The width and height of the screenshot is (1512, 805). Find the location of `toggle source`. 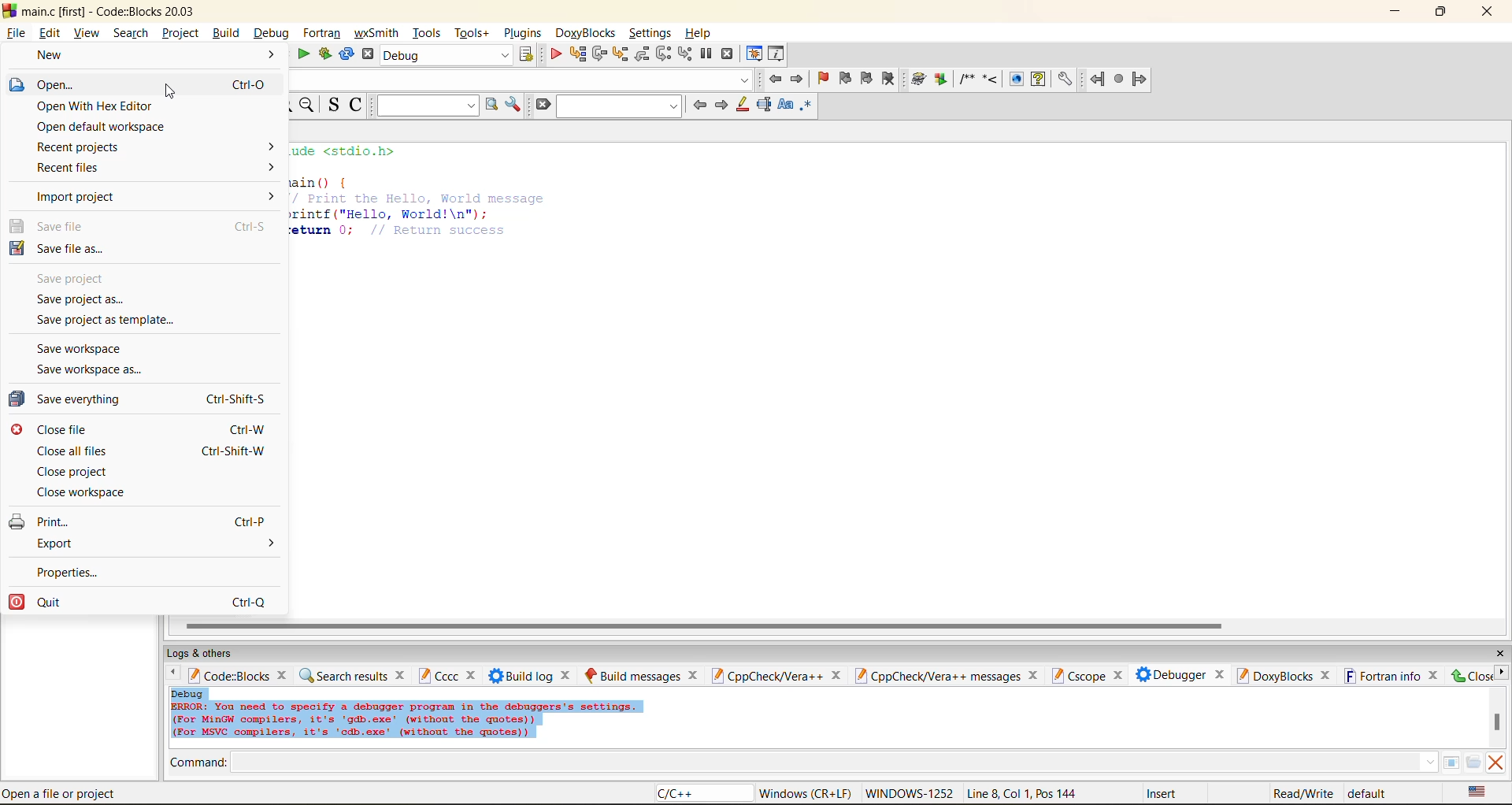

toggle source is located at coordinates (335, 104).